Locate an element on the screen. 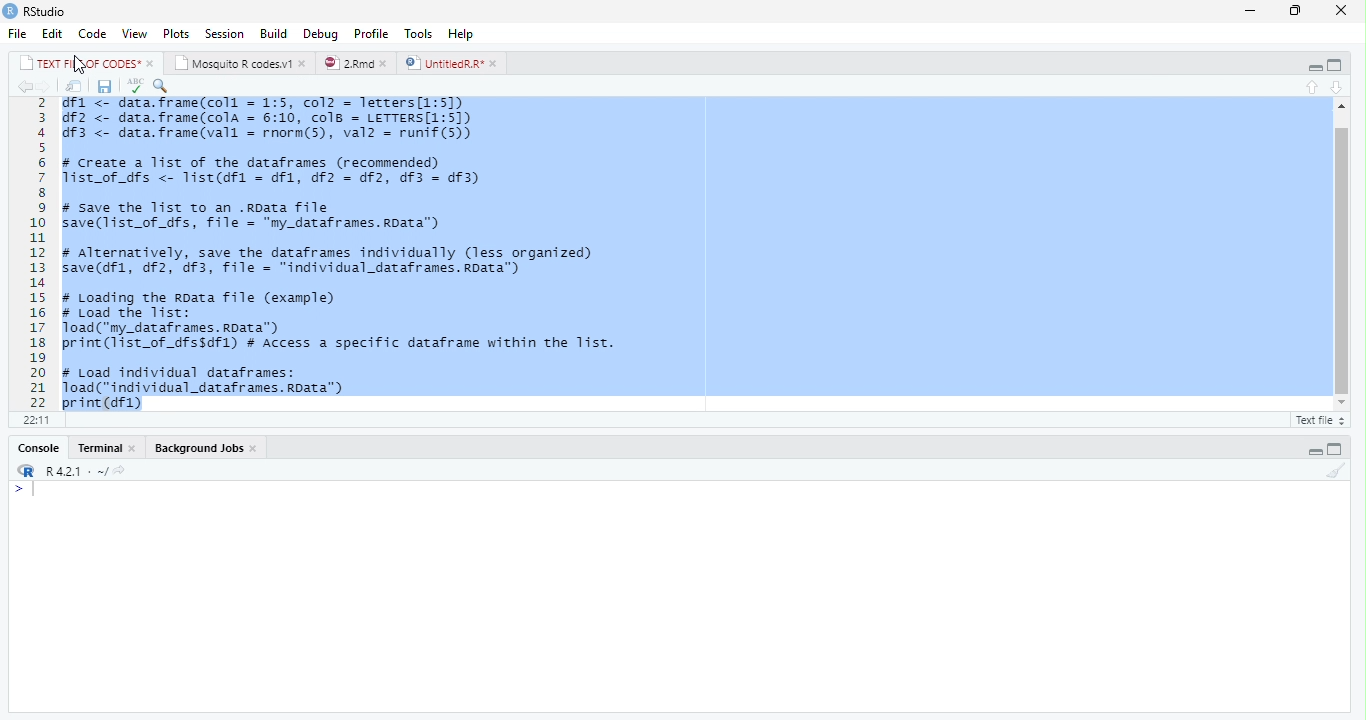 This screenshot has height=720, width=1366. Hide is located at coordinates (1314, 449).